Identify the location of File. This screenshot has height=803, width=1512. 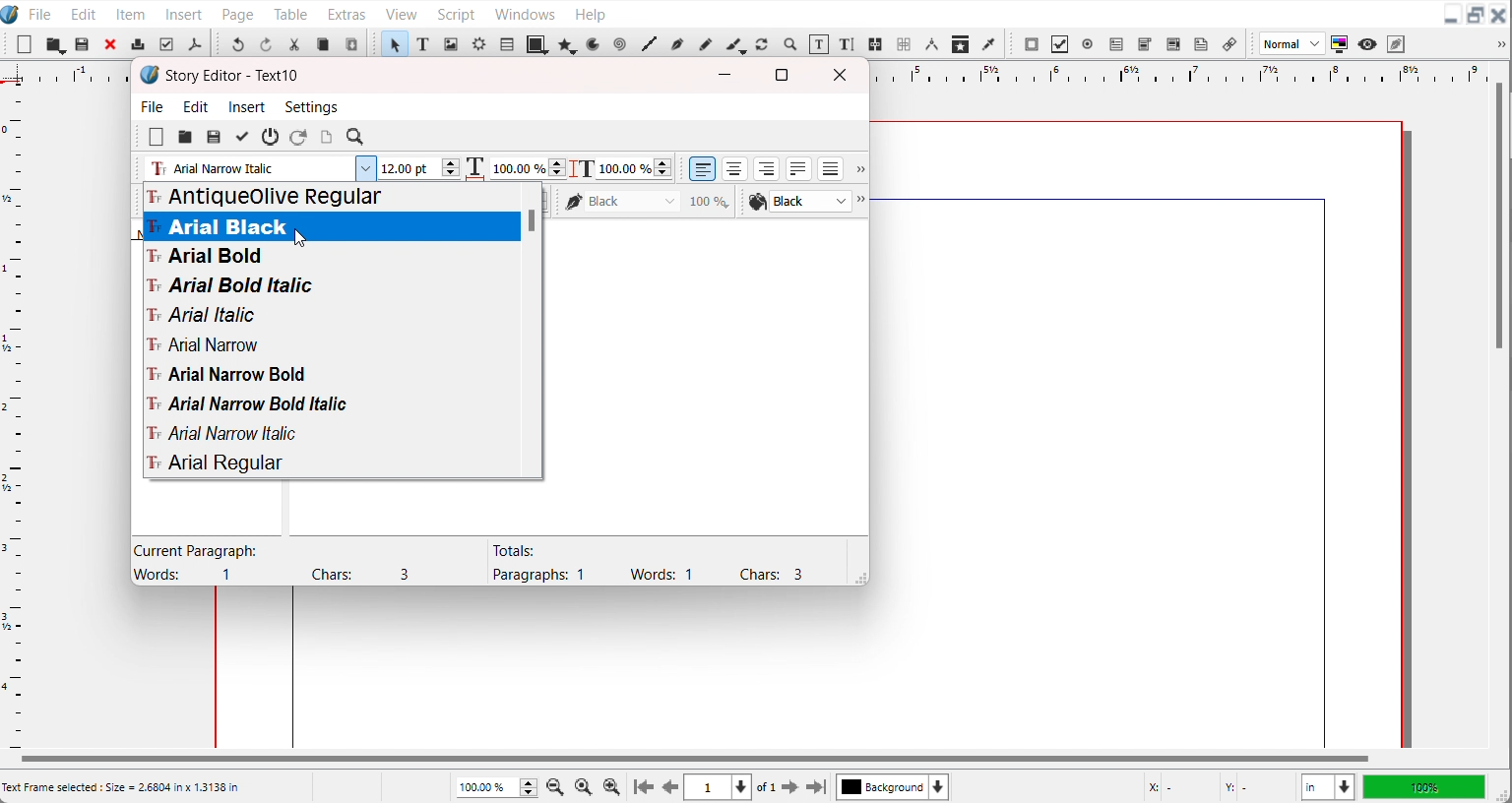
(154, 105).